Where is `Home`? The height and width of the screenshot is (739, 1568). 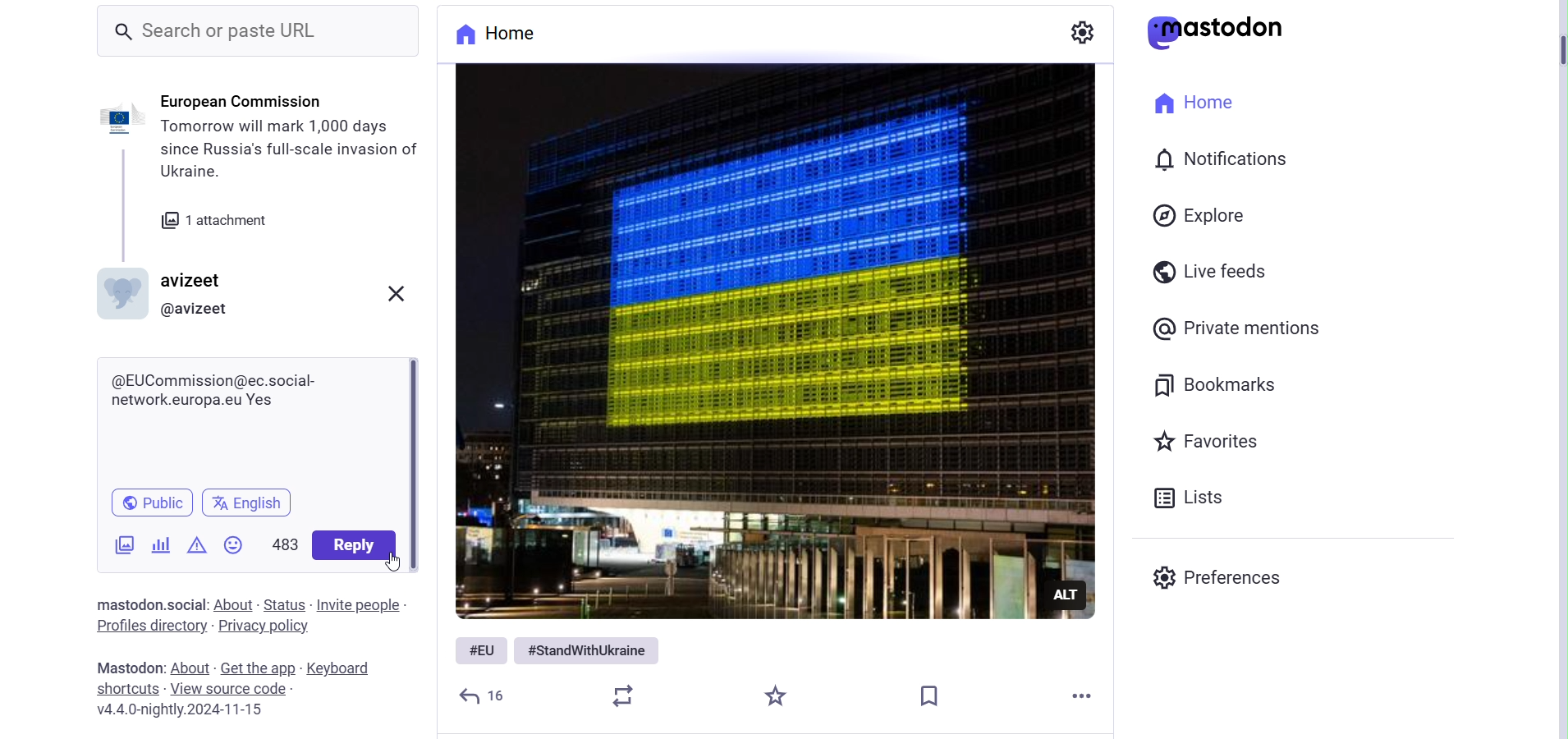
Home is located at coordinates (1199, 104).